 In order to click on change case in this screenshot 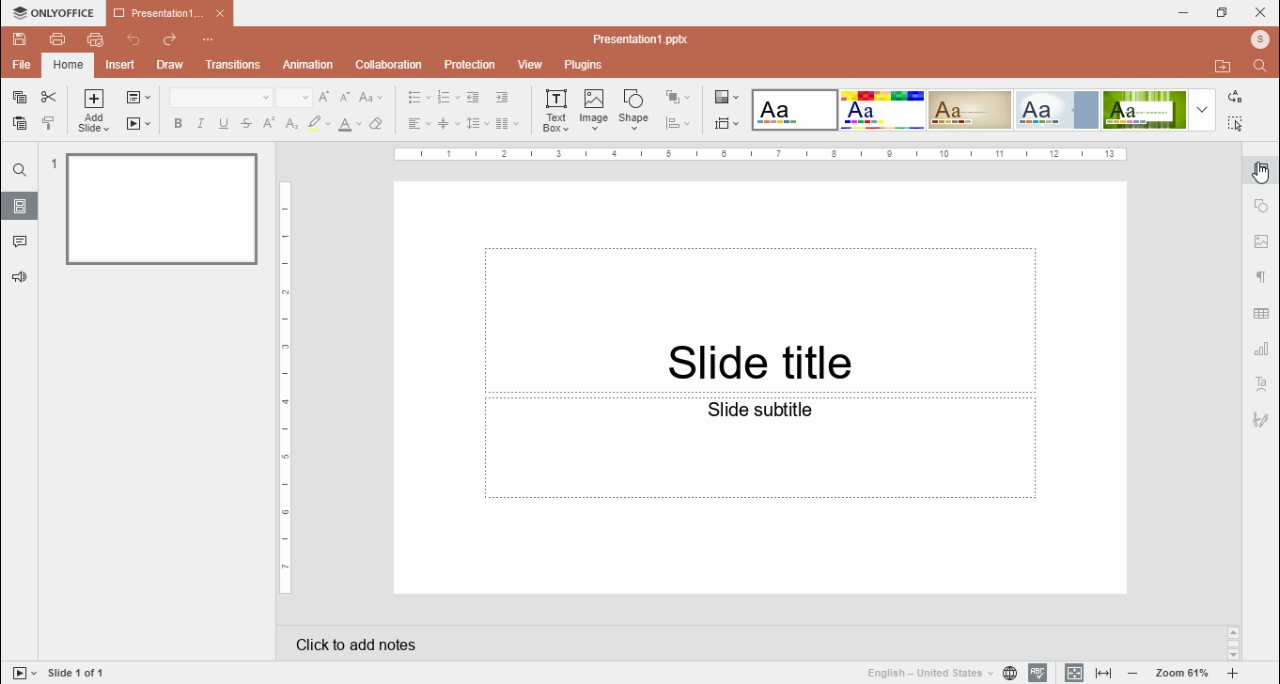, I will do `click(371, 97)`.